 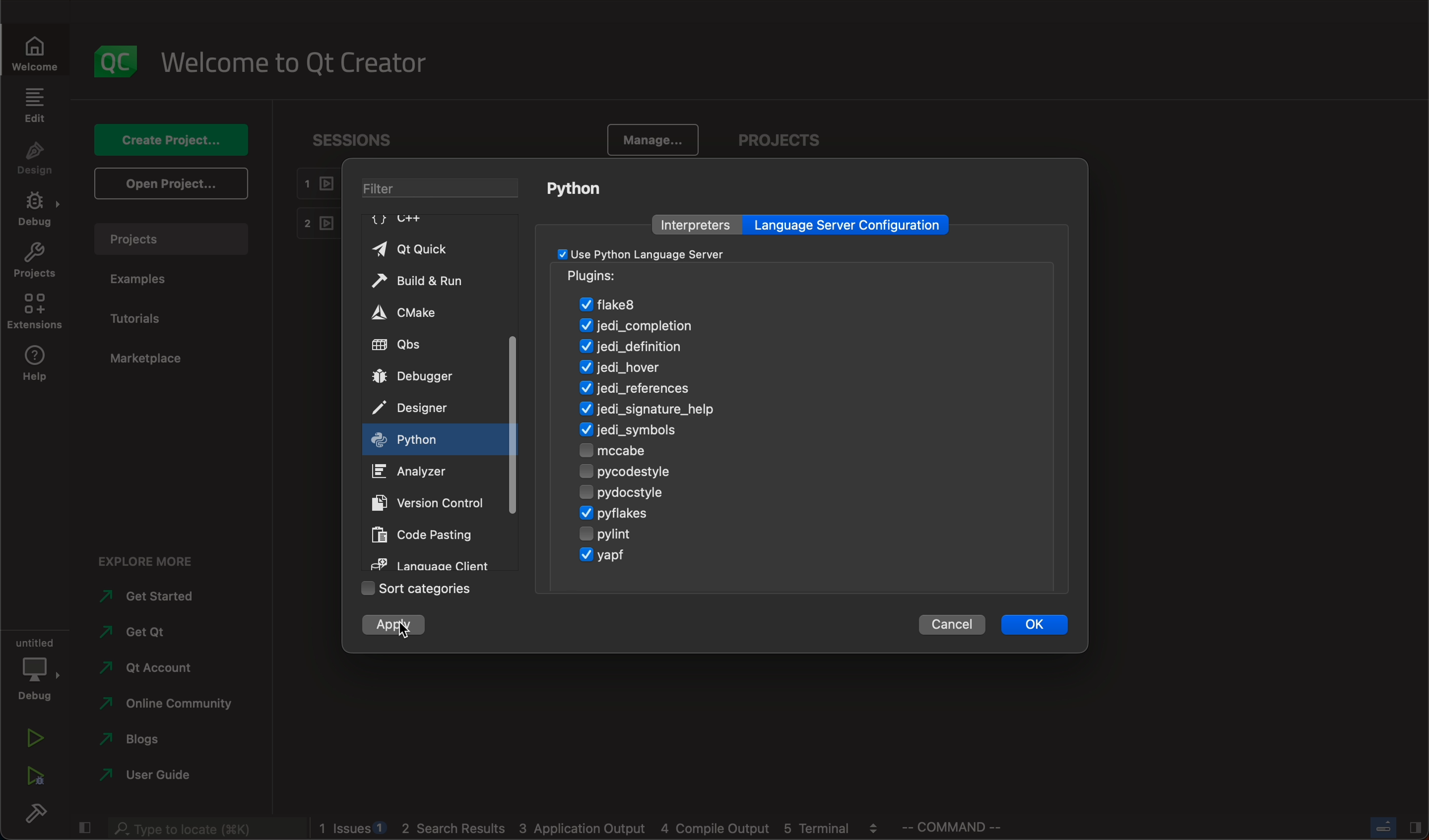 What do you see at coordinates (174, 705) in the screenshot?
I see `community` at bounding box center [174, 705].